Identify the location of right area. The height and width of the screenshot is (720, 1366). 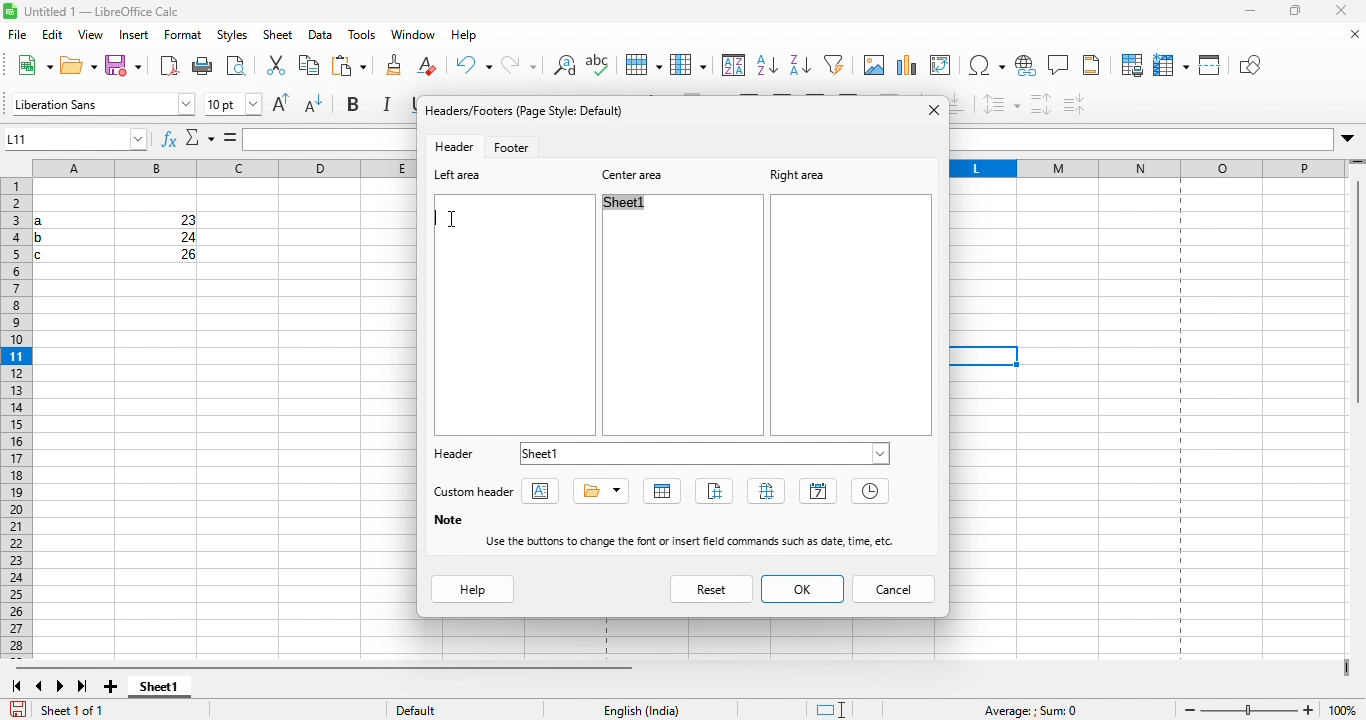
(811, 173).